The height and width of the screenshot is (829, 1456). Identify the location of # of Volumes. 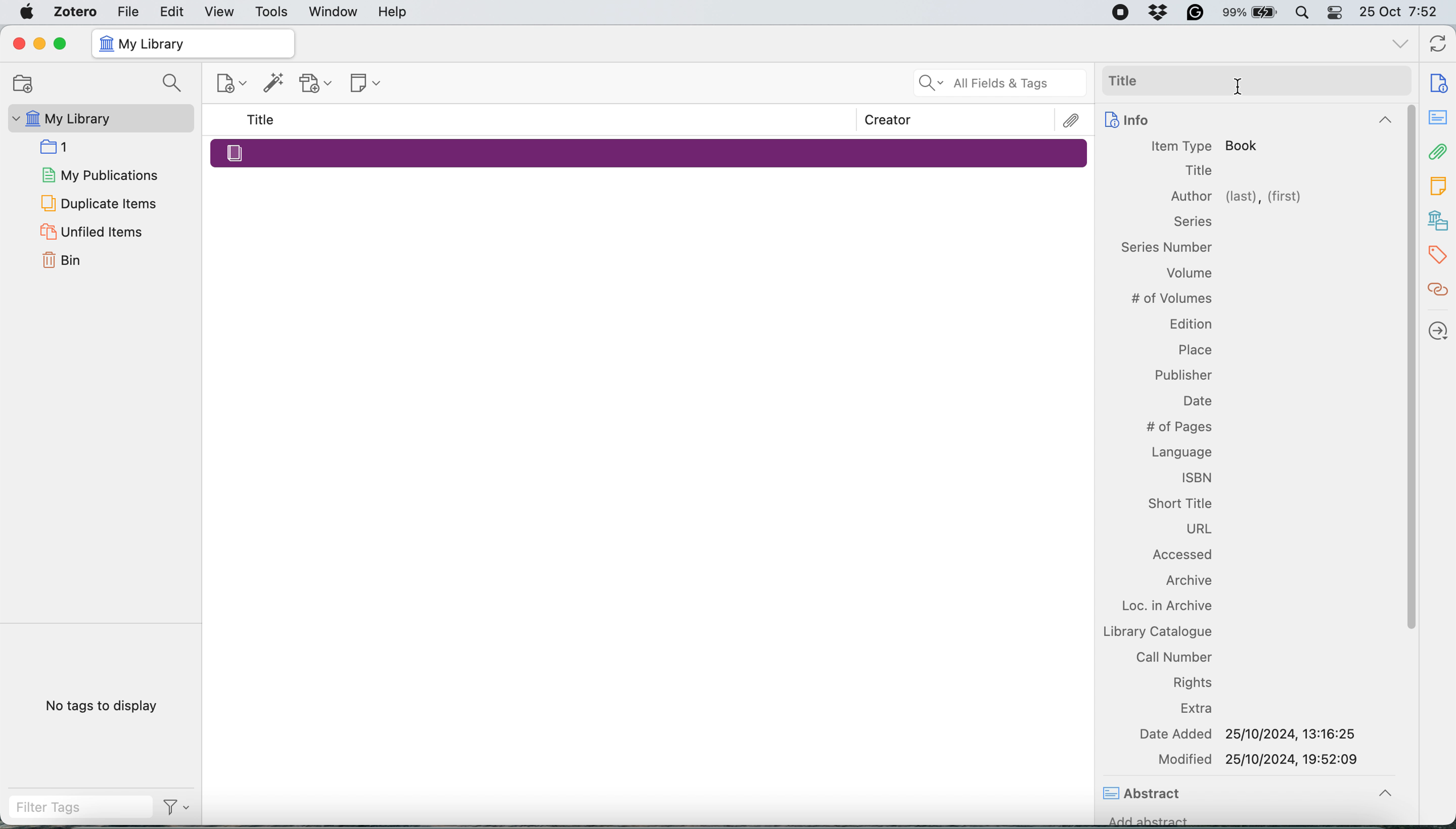
(1171, 298).